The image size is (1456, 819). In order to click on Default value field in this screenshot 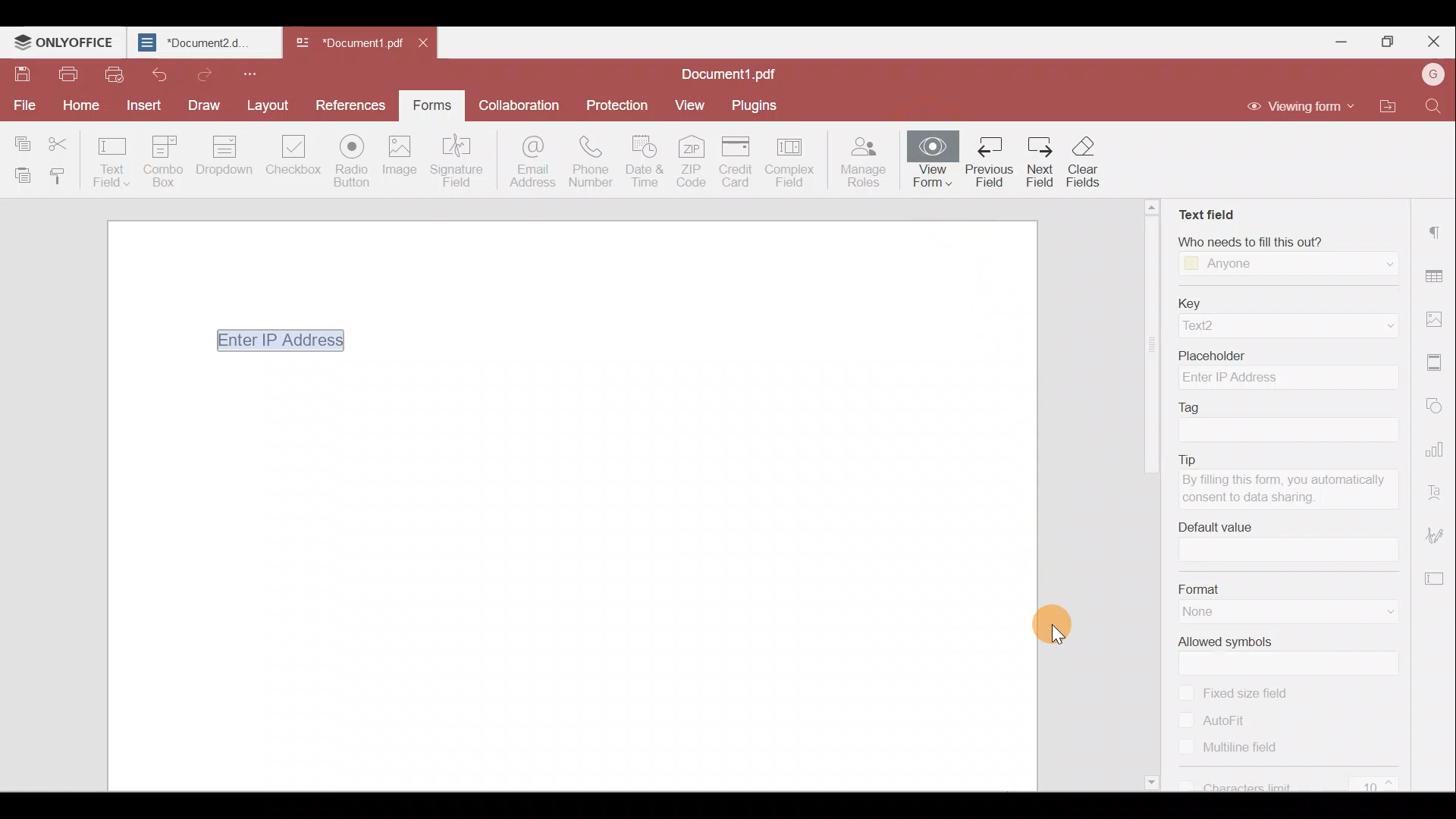, I will do `click(1290, 551)`.